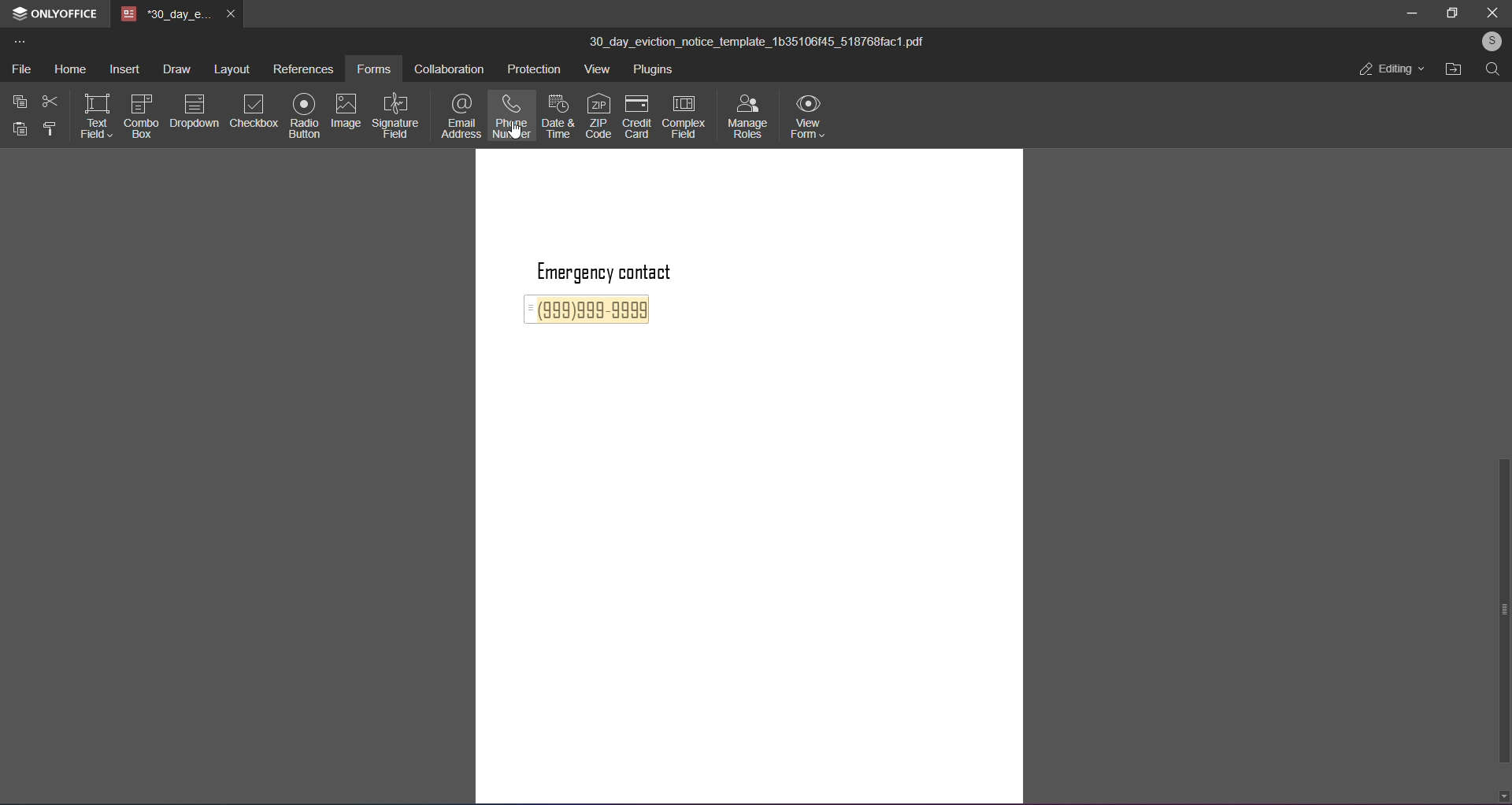 The width and height of the screenshot is (1512, 805). What do you see at coordinates (592, 313) in the screenshot?
I see `write emergency contact here` at bounding box center [592, 313].